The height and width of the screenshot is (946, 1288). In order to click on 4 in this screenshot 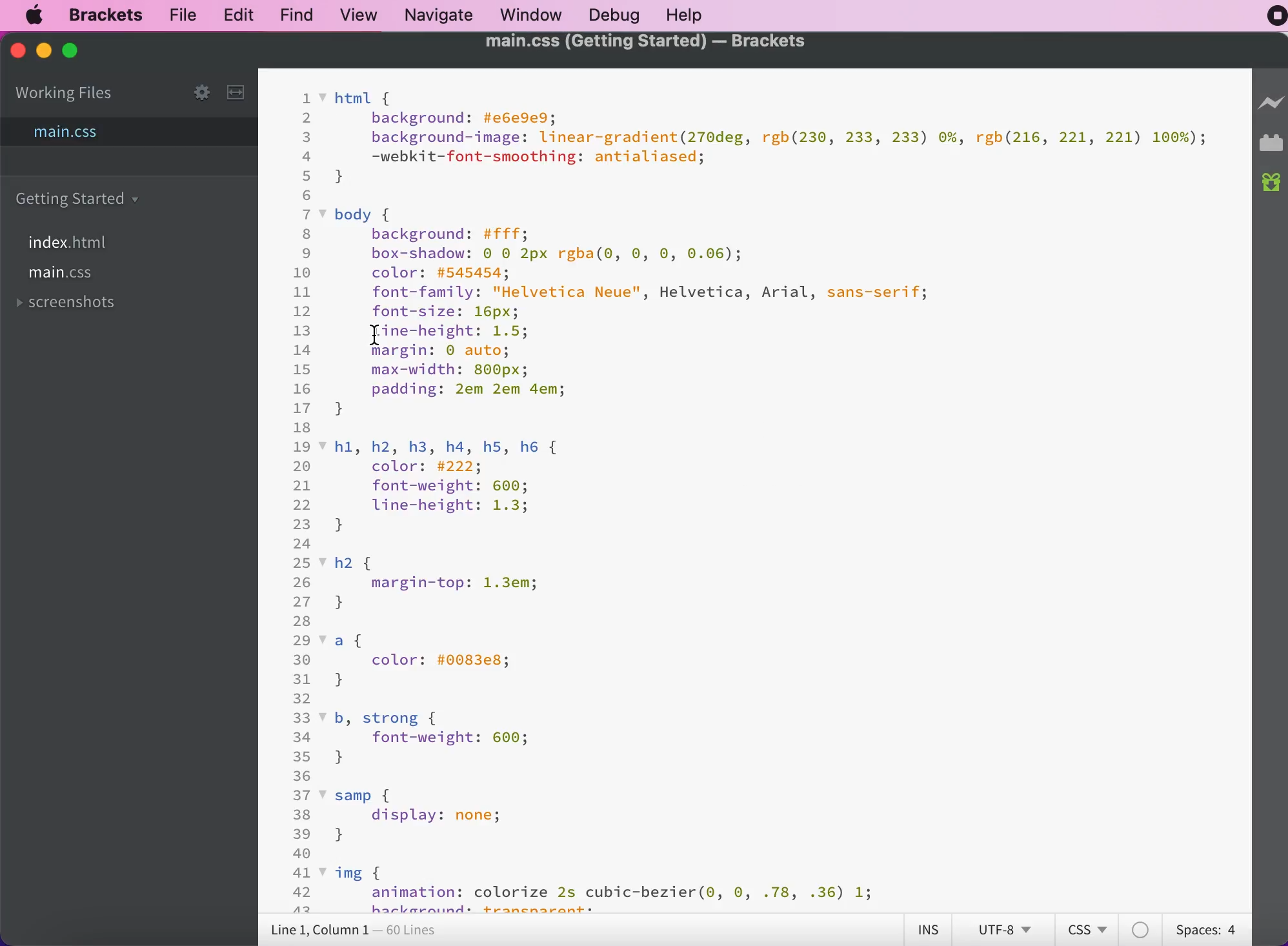, I will do `click(307, 156)`.